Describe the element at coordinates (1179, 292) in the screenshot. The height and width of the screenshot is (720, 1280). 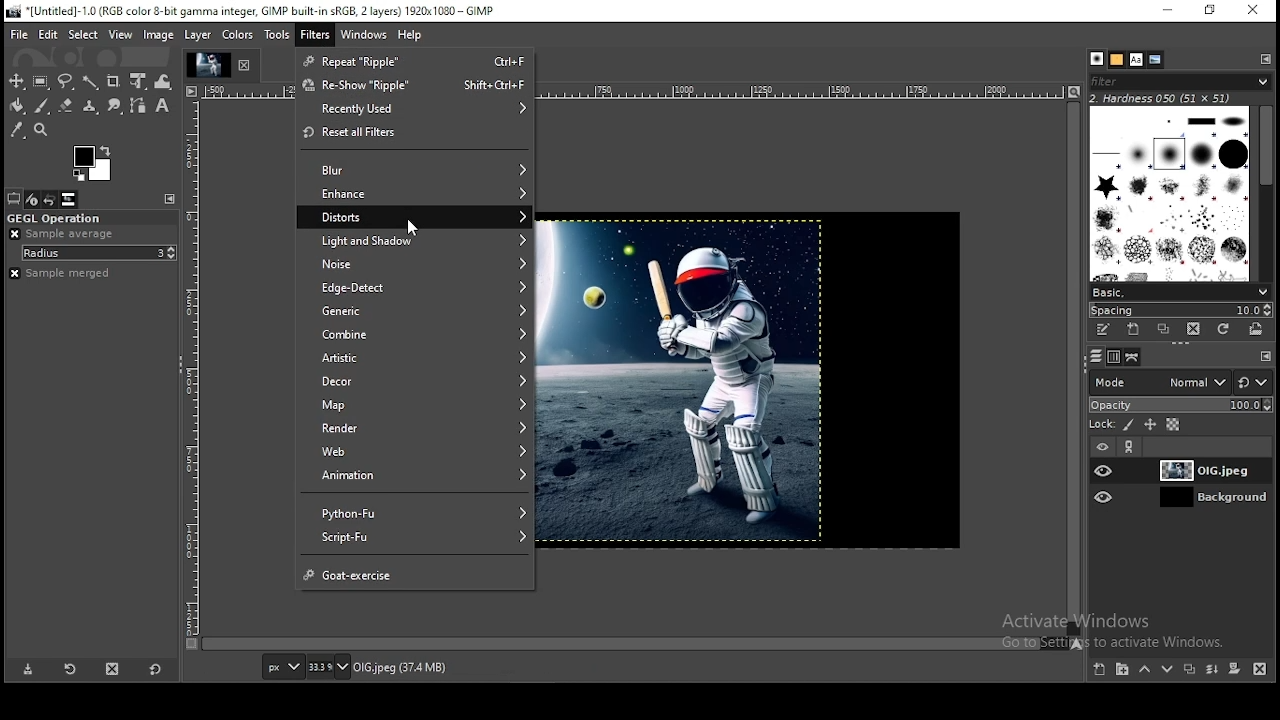
I see `brush presets` at that location.